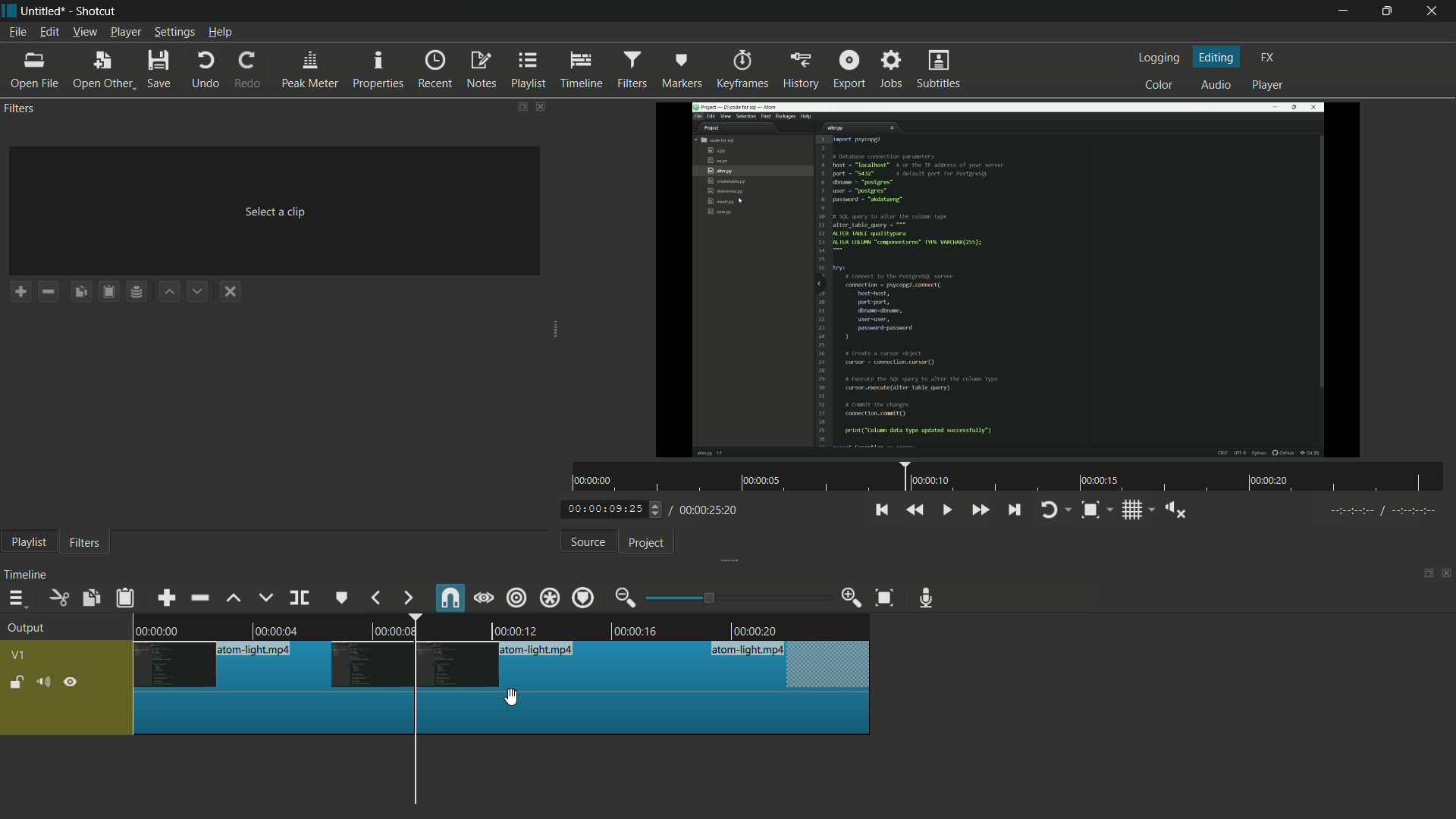 The height and width of the screenshot is (819, 1456). Describe the element at coordinates (265, 598) in the screenshot. I see `overwrite` at that location.